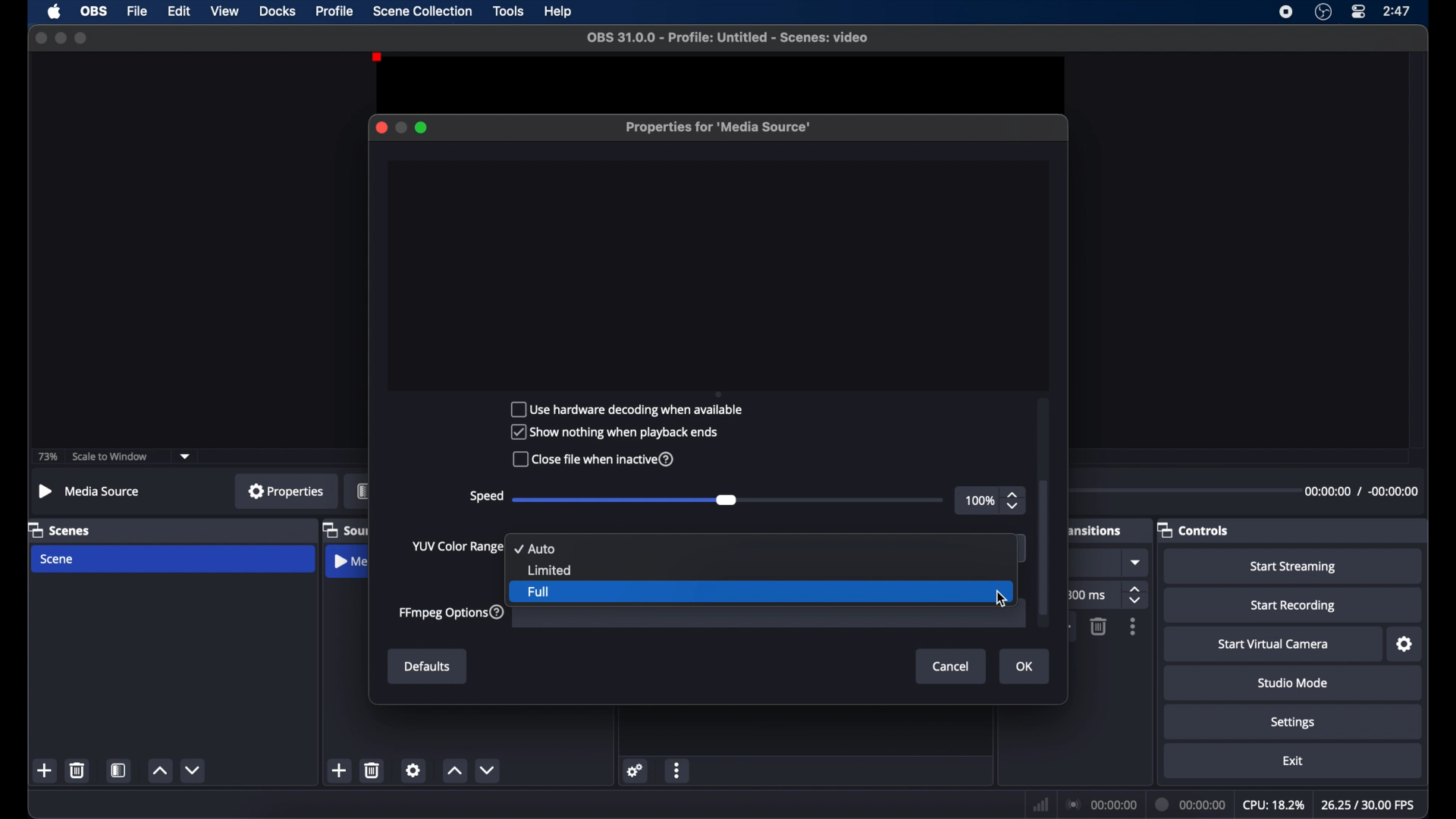 Image resolution: width=1456 pixels, height=819 pixels. Describe the element at coordinates (1293, 684) in the screenshot. I see `studio mode` at that location.